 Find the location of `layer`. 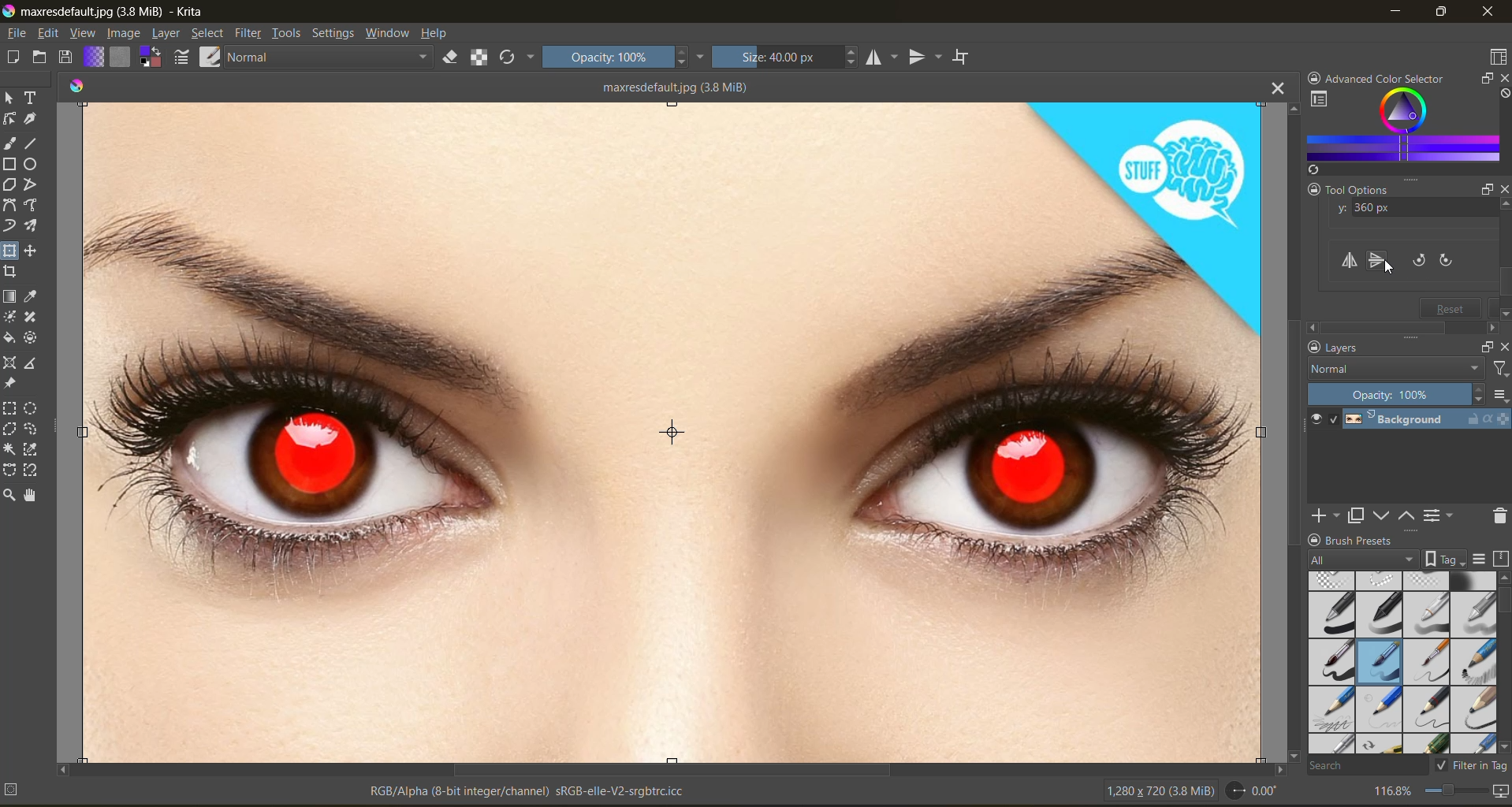

layer is located at coordinates (1429, 420).